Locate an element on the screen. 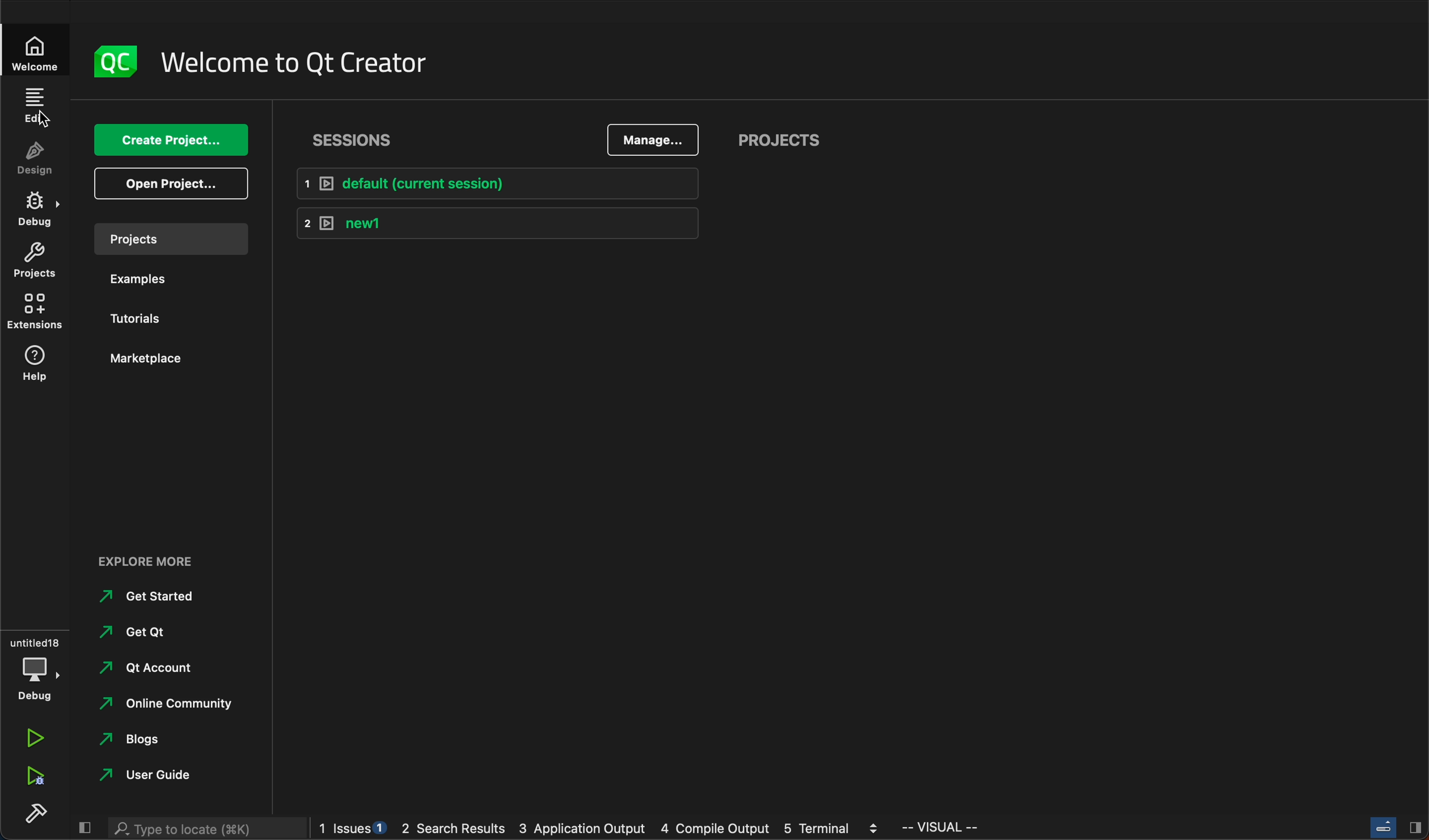  community is located at coordinates (171, 705).